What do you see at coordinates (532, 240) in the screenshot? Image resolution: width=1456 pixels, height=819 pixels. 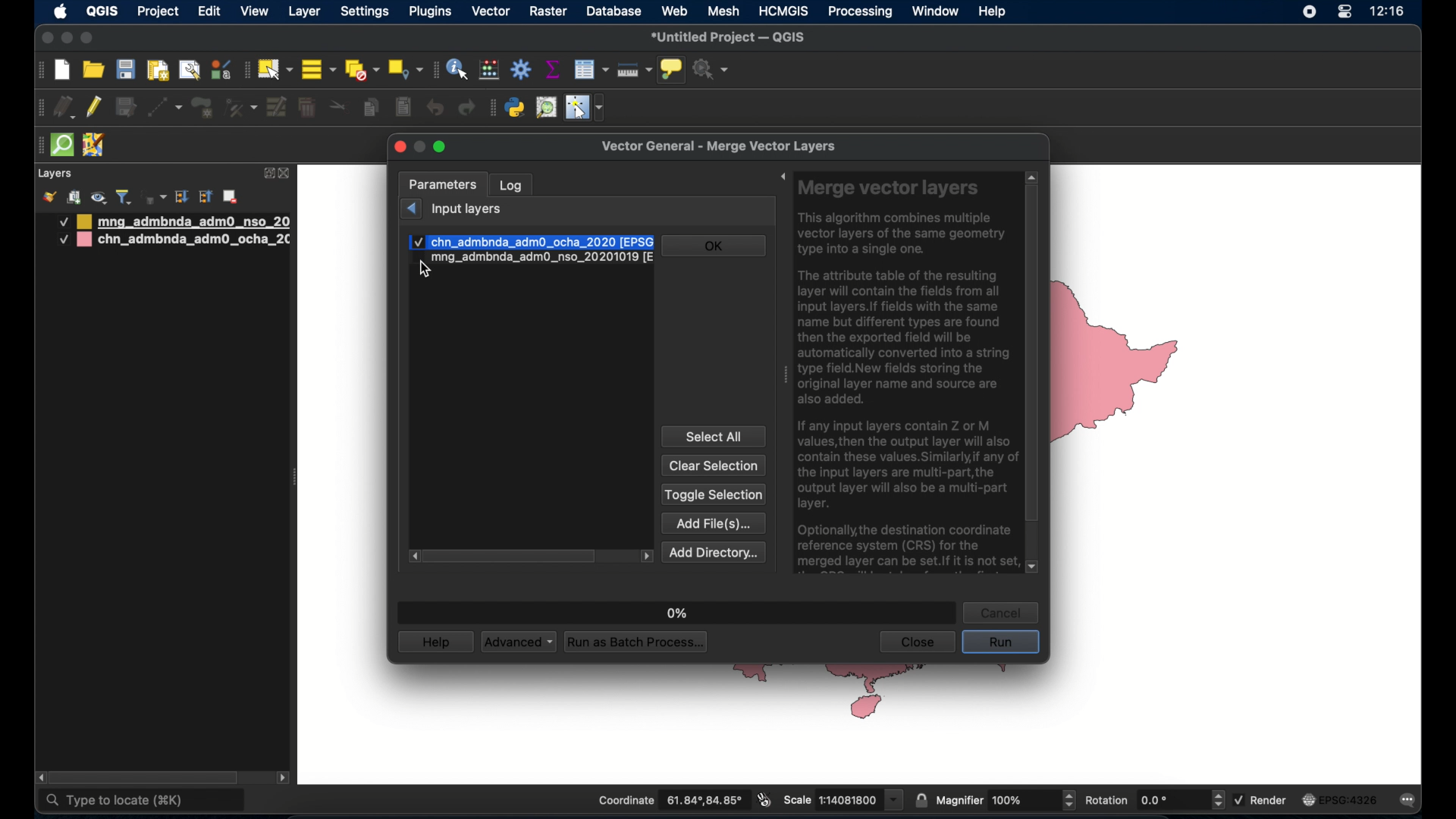 I see `check mark` at bounding box center [532, 240].